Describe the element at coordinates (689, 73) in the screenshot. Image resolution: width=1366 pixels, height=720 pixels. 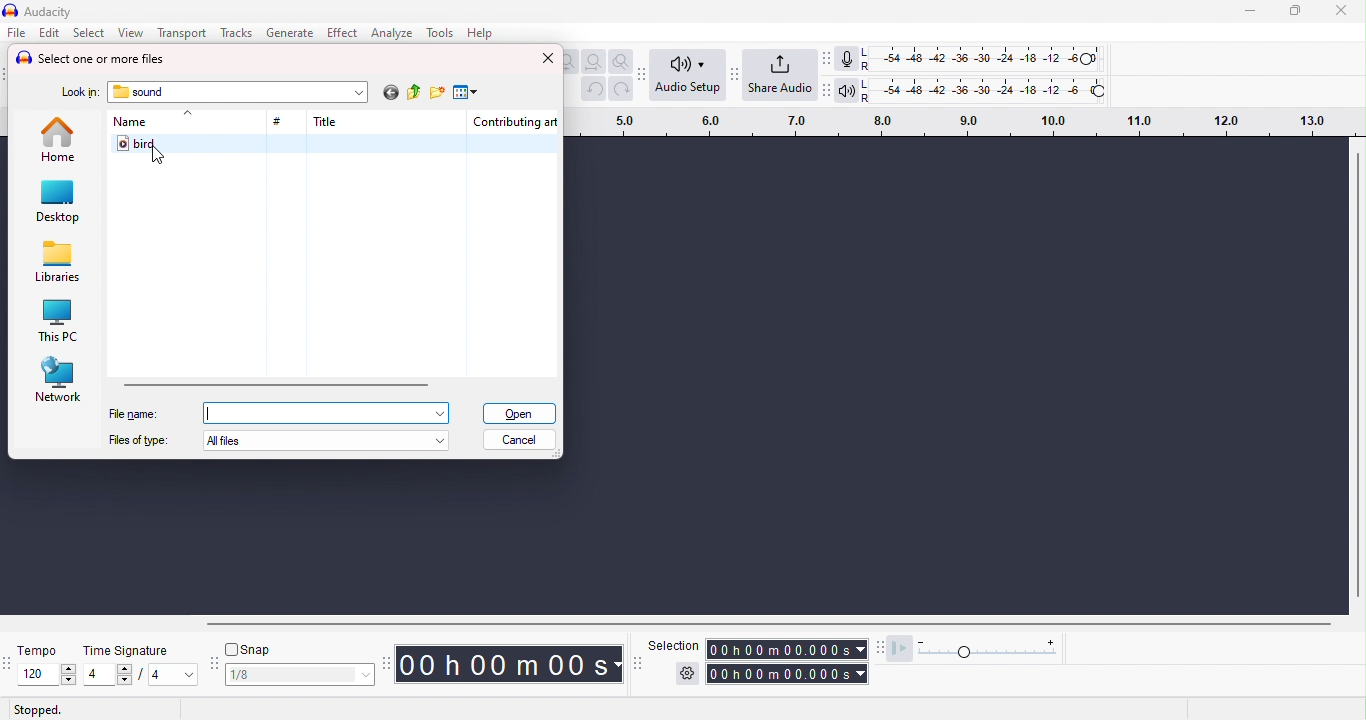
I see `Audio setup` at that location.